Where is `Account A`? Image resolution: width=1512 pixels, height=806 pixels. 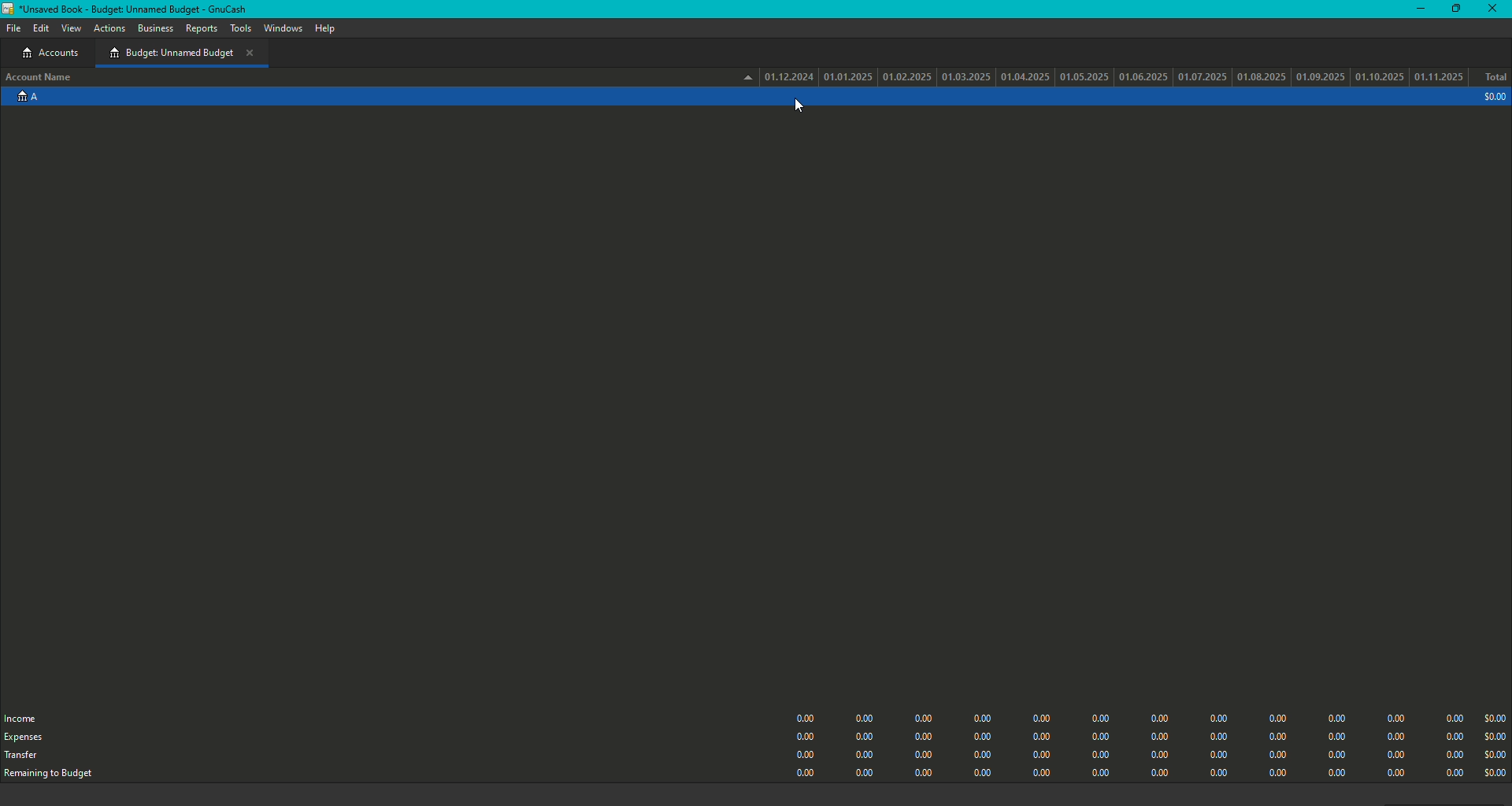
Account A is located at coordinates (25, 100).